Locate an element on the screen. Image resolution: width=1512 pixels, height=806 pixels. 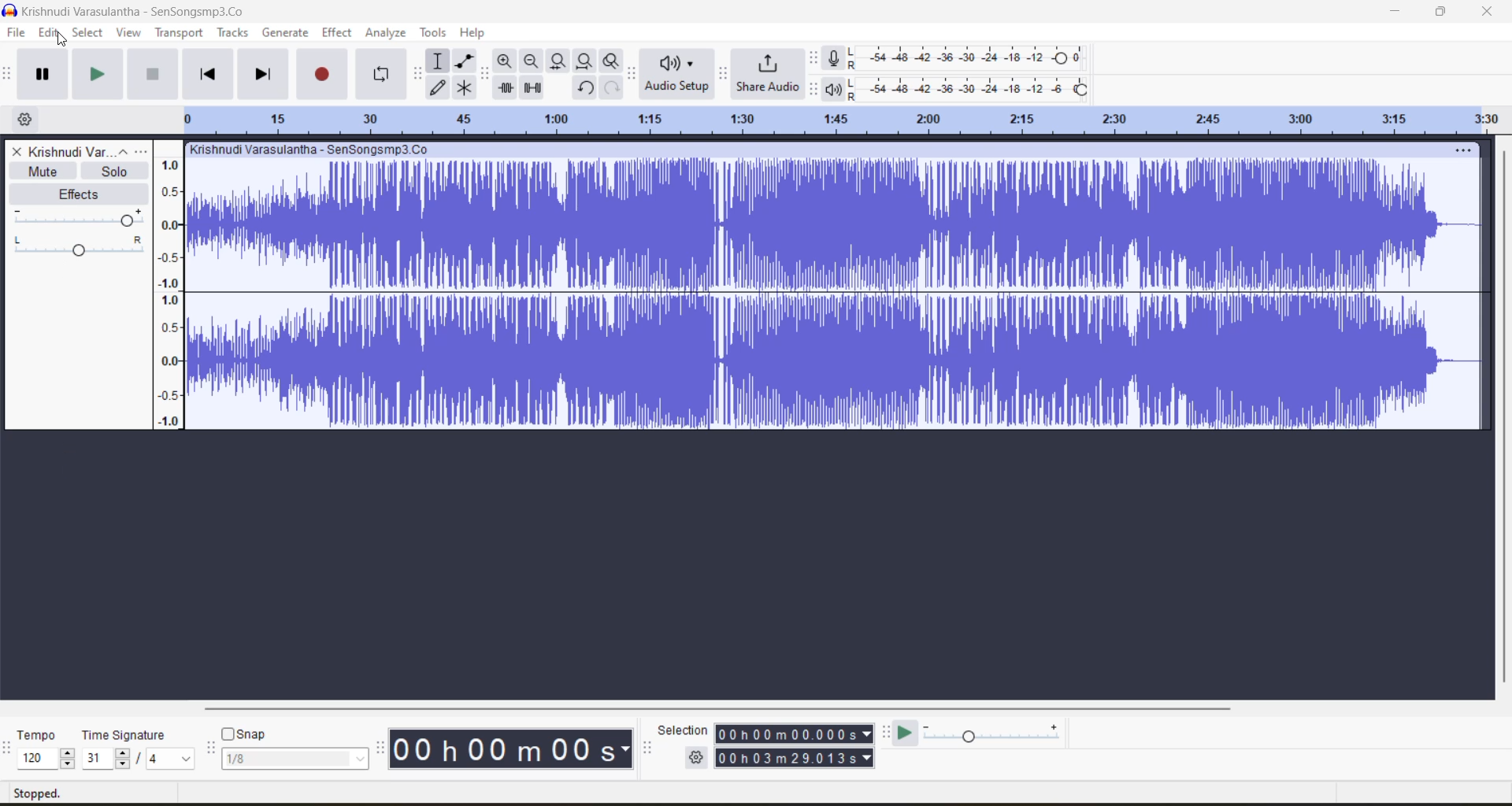
time signature is located at coordinates (139, 749).